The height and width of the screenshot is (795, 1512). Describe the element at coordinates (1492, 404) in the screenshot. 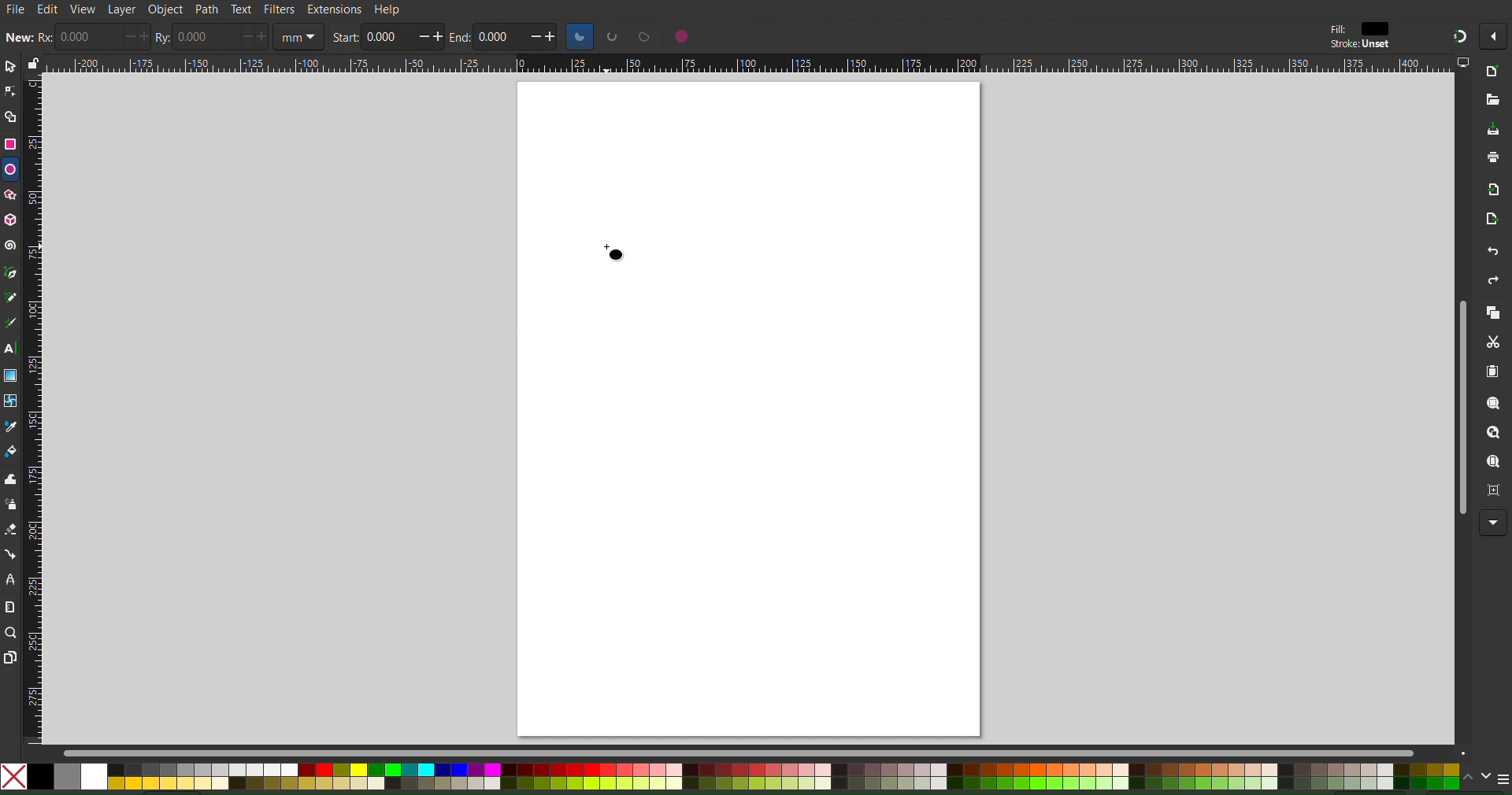

I see `Zoom Selection` at that location.